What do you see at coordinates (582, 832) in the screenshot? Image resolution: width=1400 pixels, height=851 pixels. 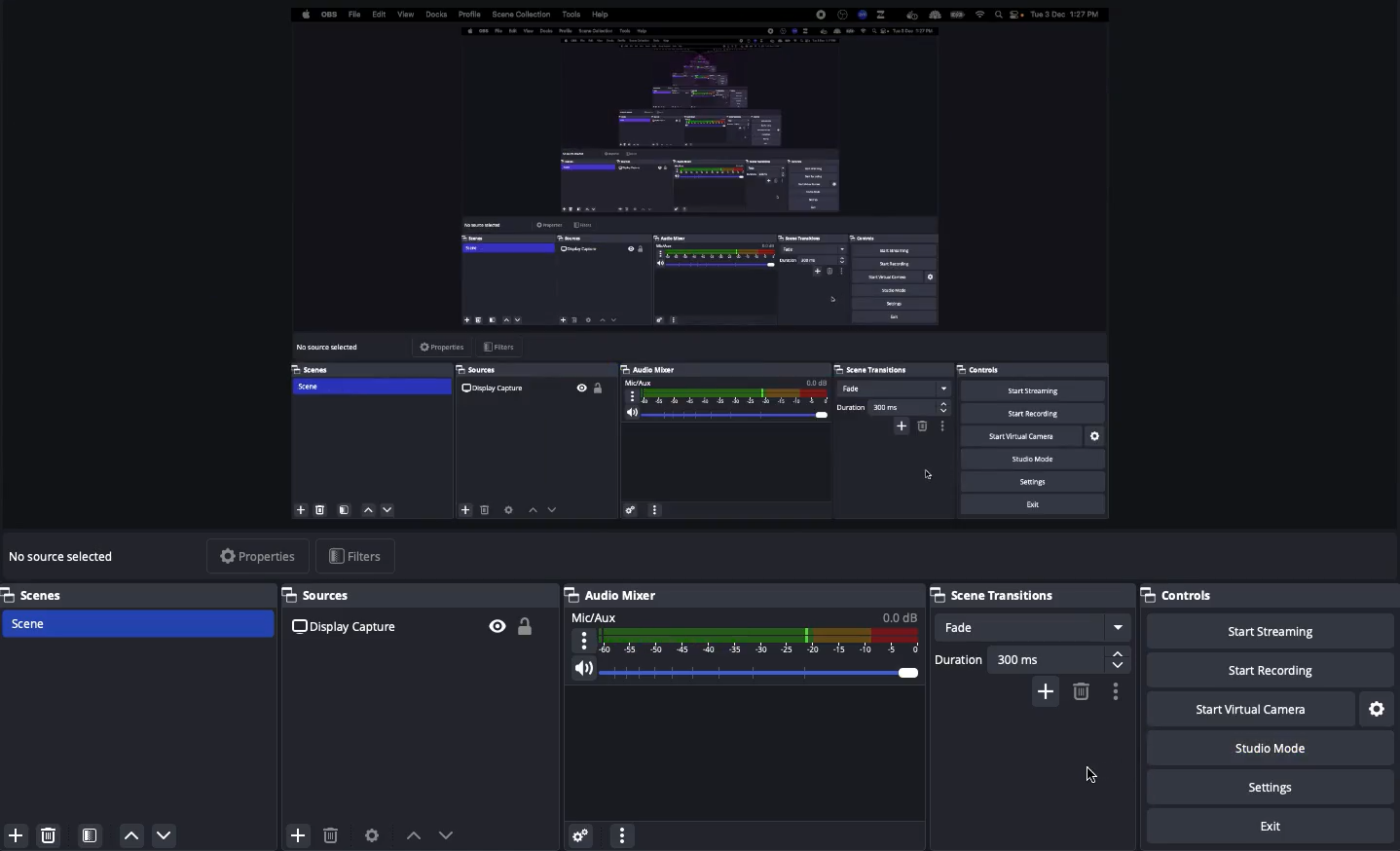 I see `Advanced audio properties` at bounding box center [582, 832].